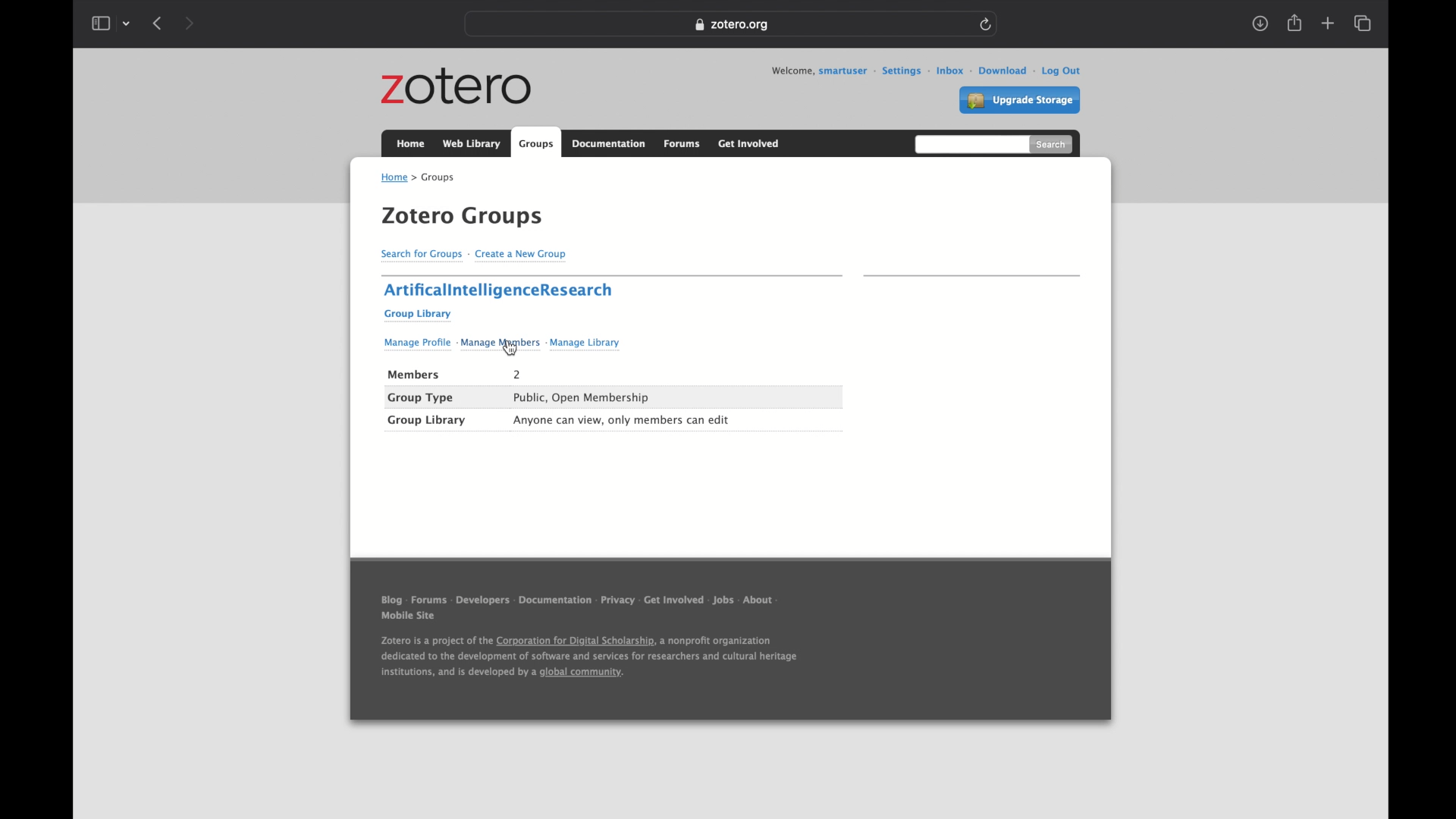 The height and width of the screenshot is (819, 1456). Describe the element at coordinates (1261, 24) in the screenshot. I see `downloads` at that location.